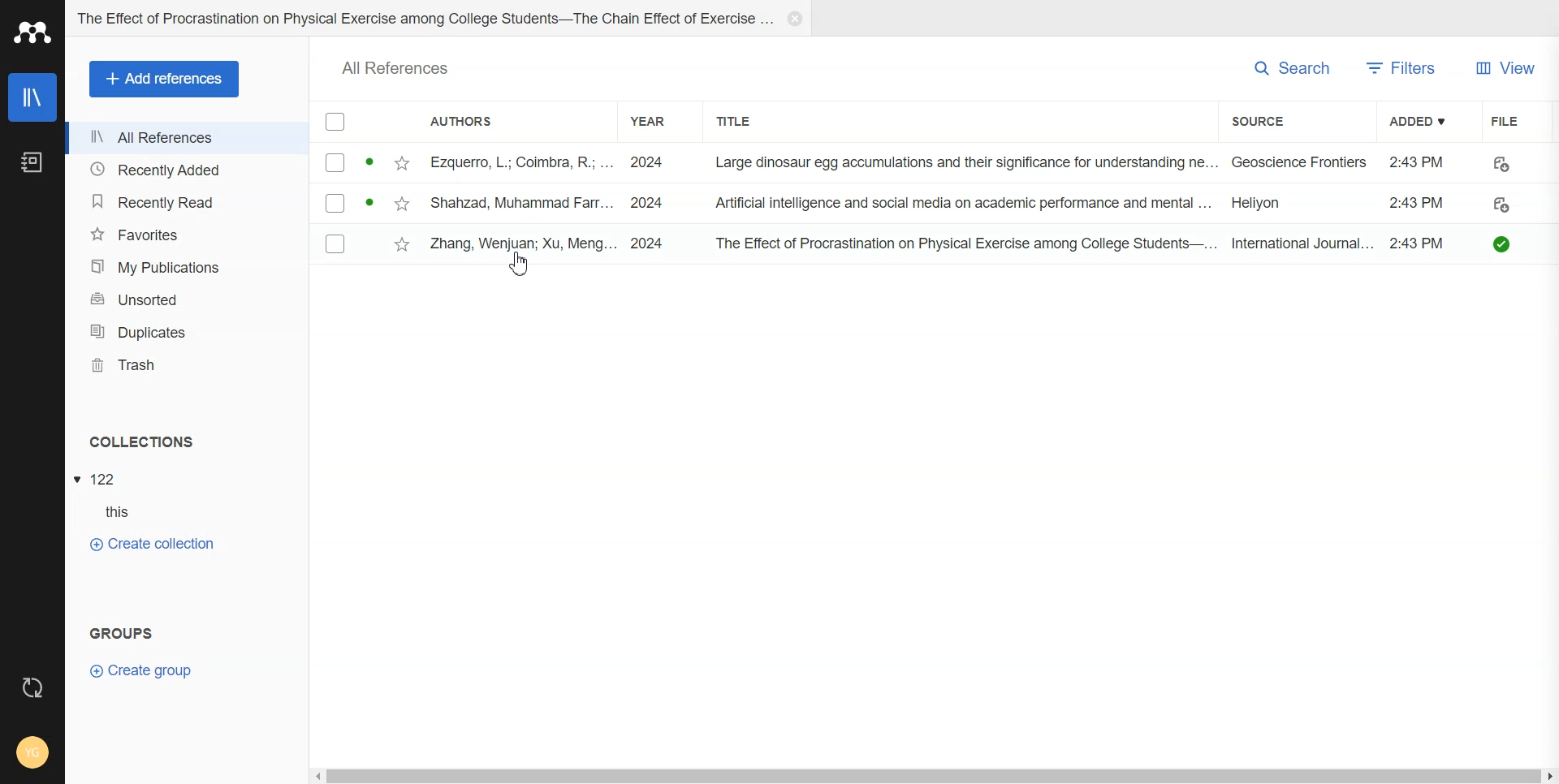 The image size is (1559, 784). Describe the element at coordinates (369, 158) in the screenshot. I see `Active` at that location.